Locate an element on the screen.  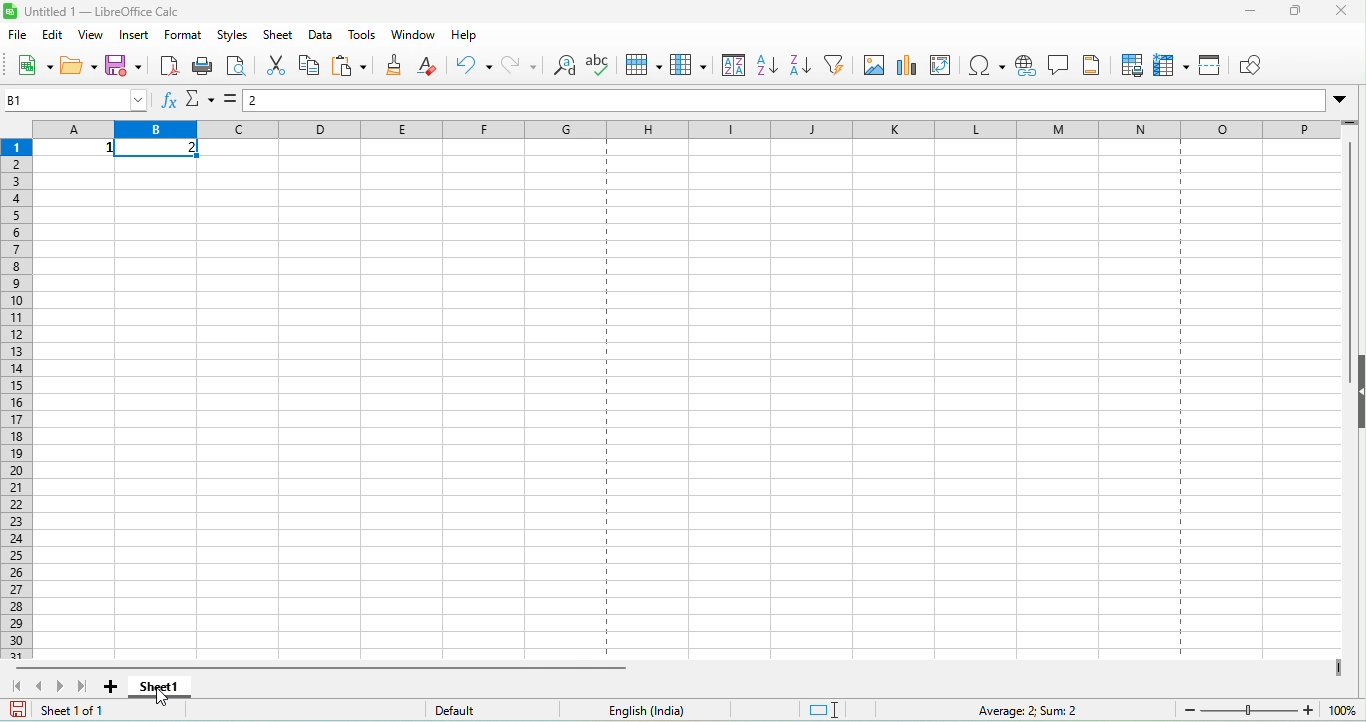
sheet is located at coordinates (275, 36).